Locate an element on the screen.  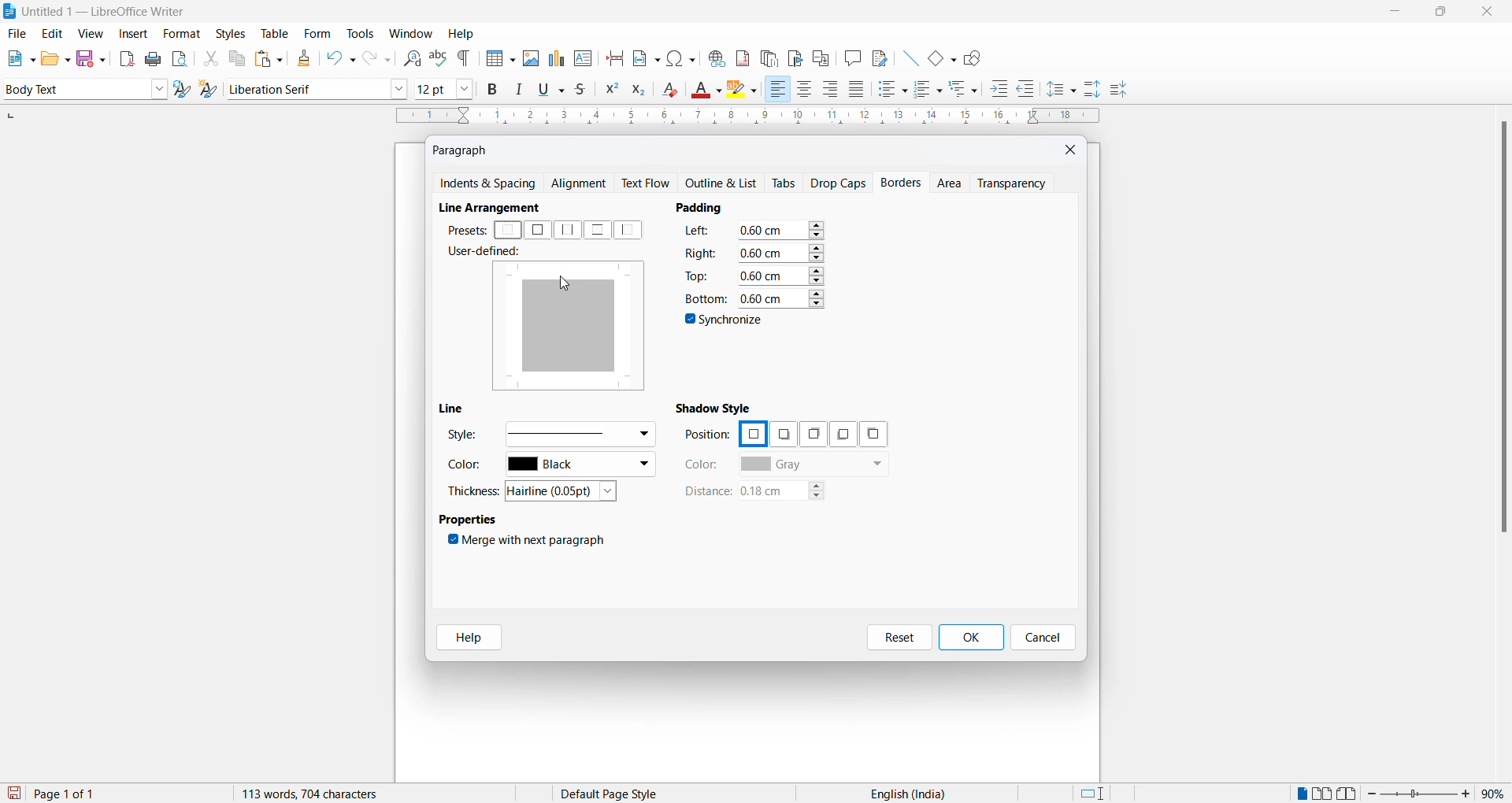
distance options is located at coordinates (790, 494).